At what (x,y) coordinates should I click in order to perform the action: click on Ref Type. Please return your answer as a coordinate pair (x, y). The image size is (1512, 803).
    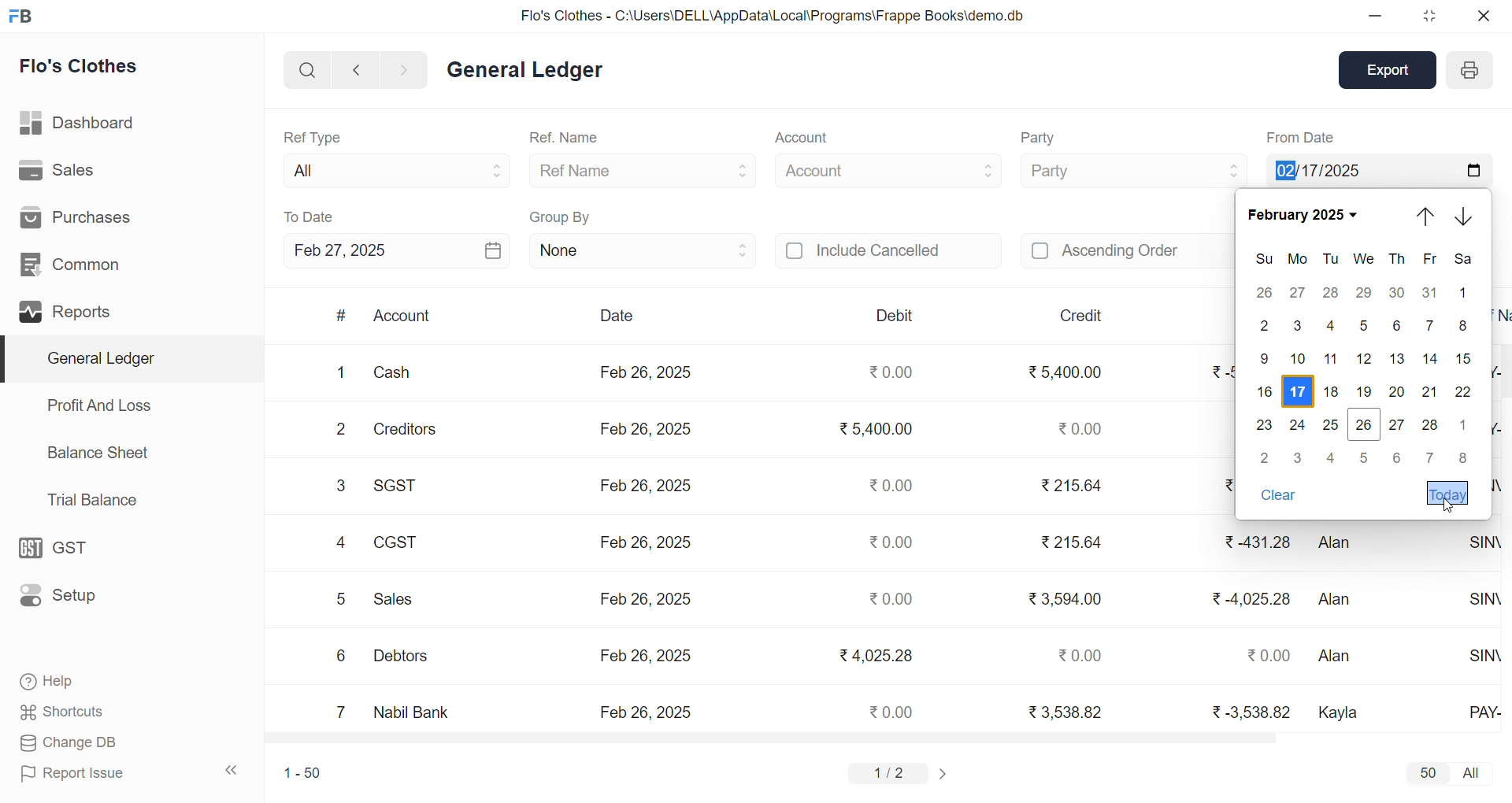
    Looking at the image, I should click on (312, 136).